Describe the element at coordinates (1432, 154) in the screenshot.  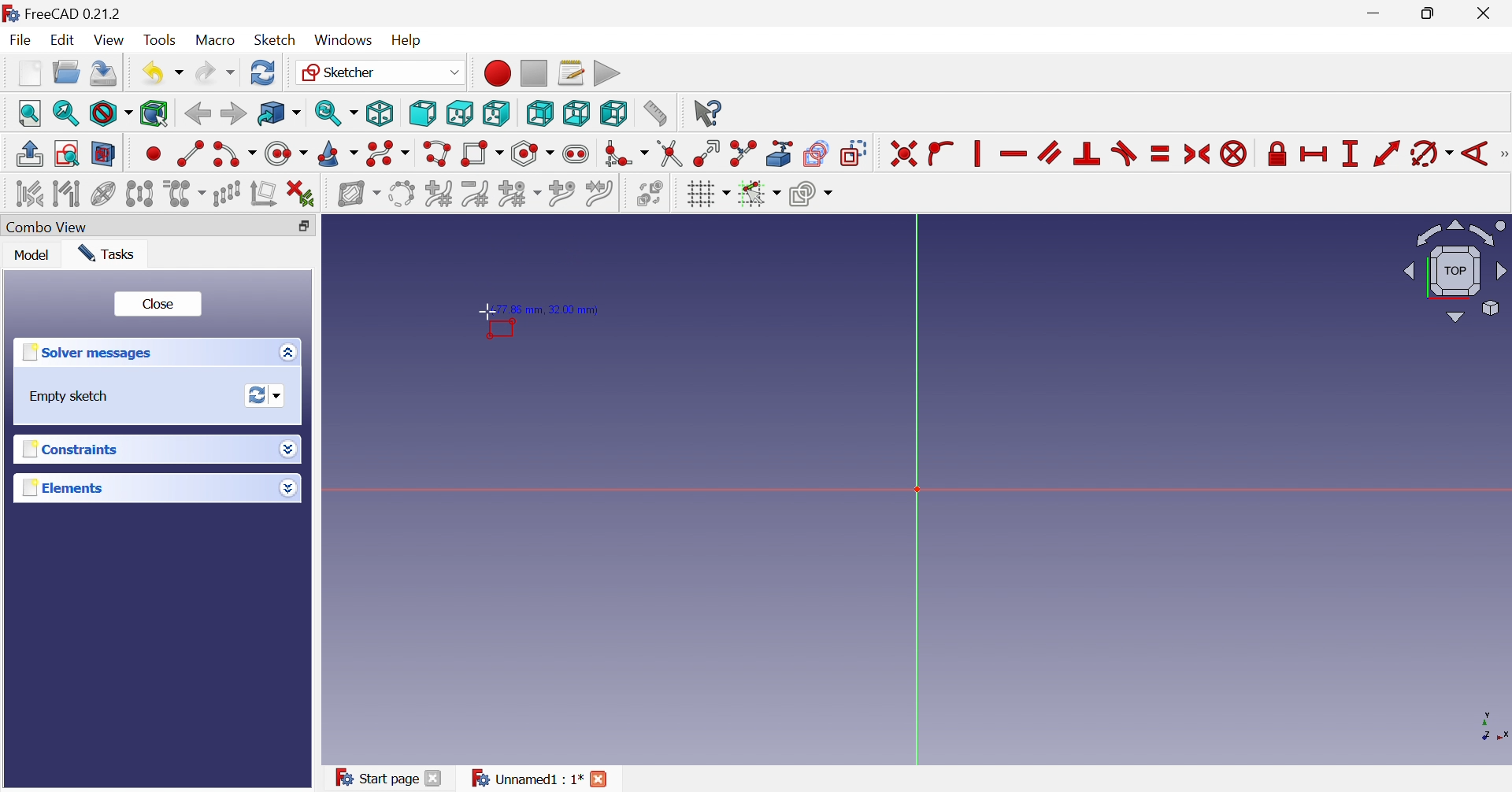
I see `Constrain arc or angle` at that location.